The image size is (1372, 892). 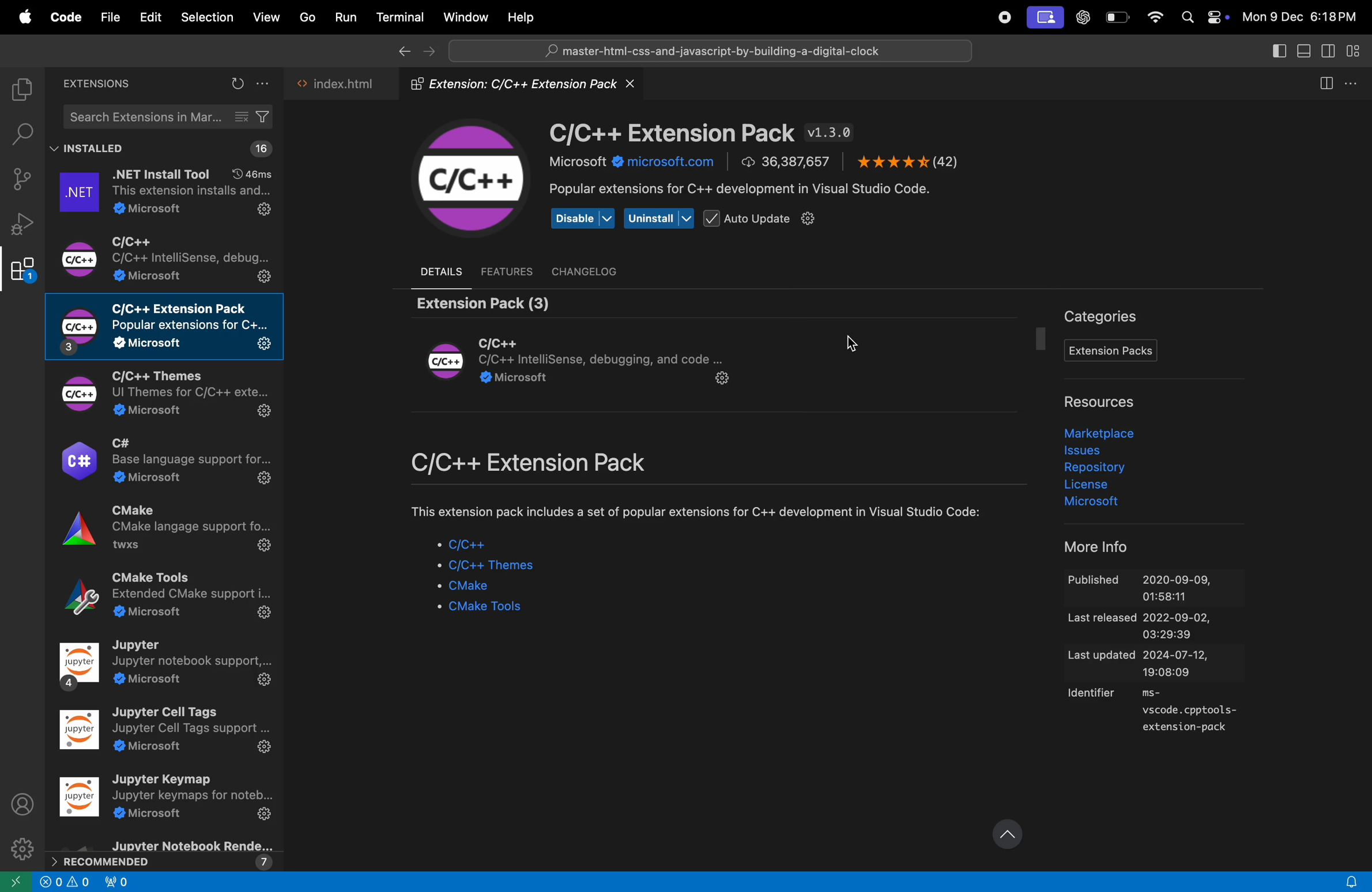 I want to click on Cmake tools, so click(x=496, y=609).